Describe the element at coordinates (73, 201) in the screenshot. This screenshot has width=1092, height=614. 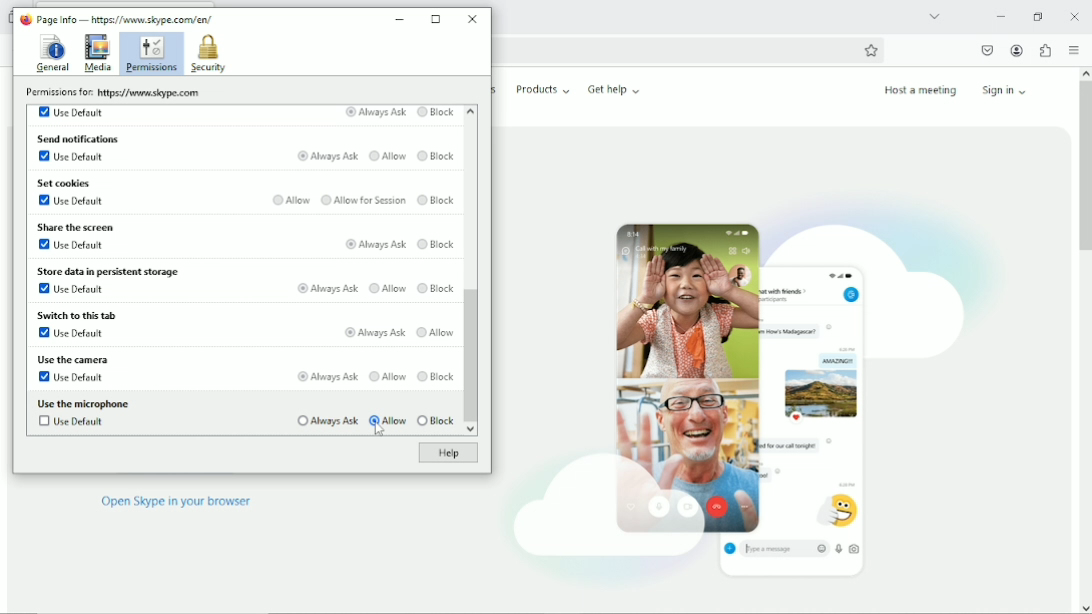
I see `Use default` at that location.